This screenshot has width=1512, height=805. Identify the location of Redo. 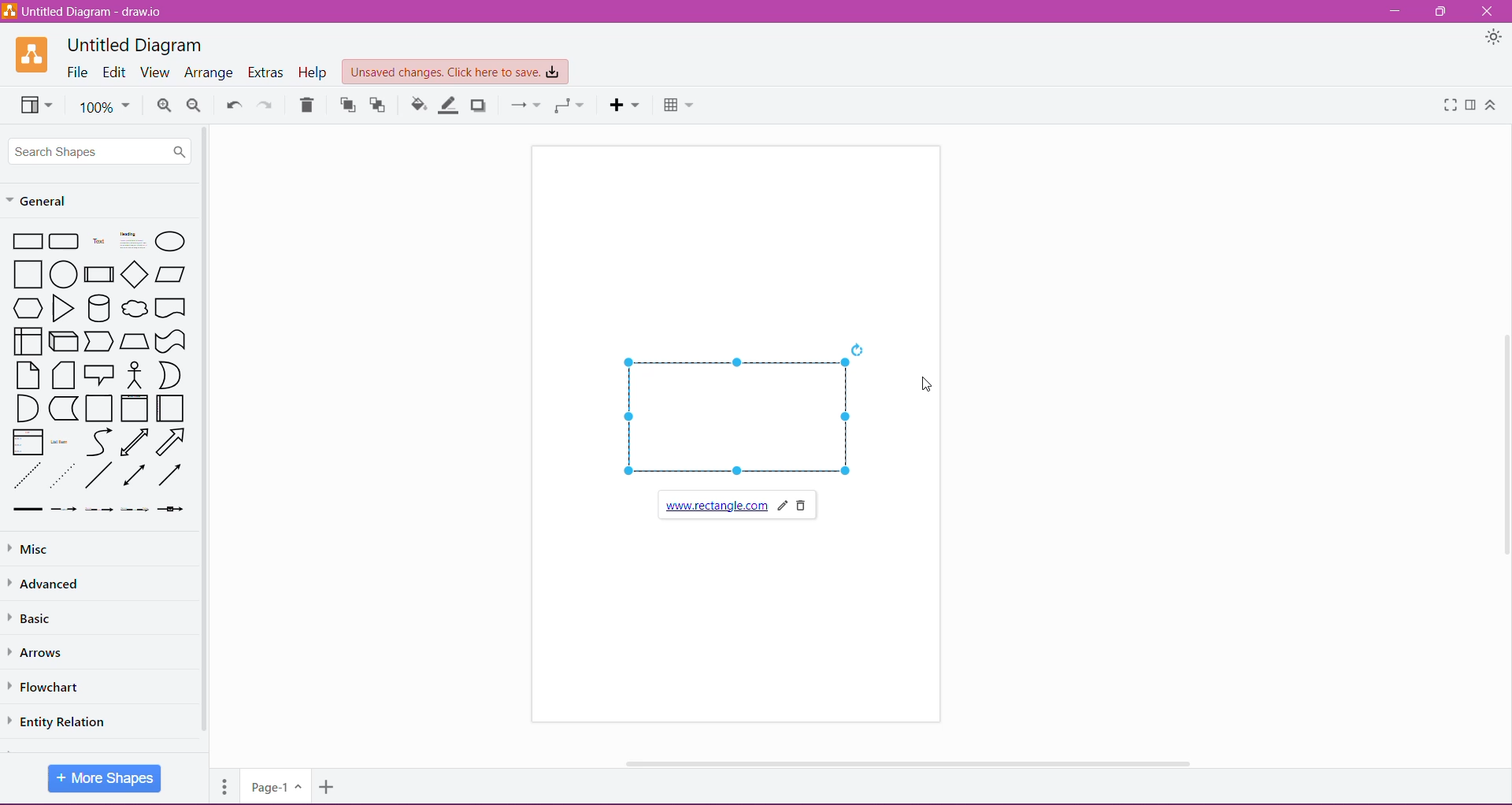
(268, 103).